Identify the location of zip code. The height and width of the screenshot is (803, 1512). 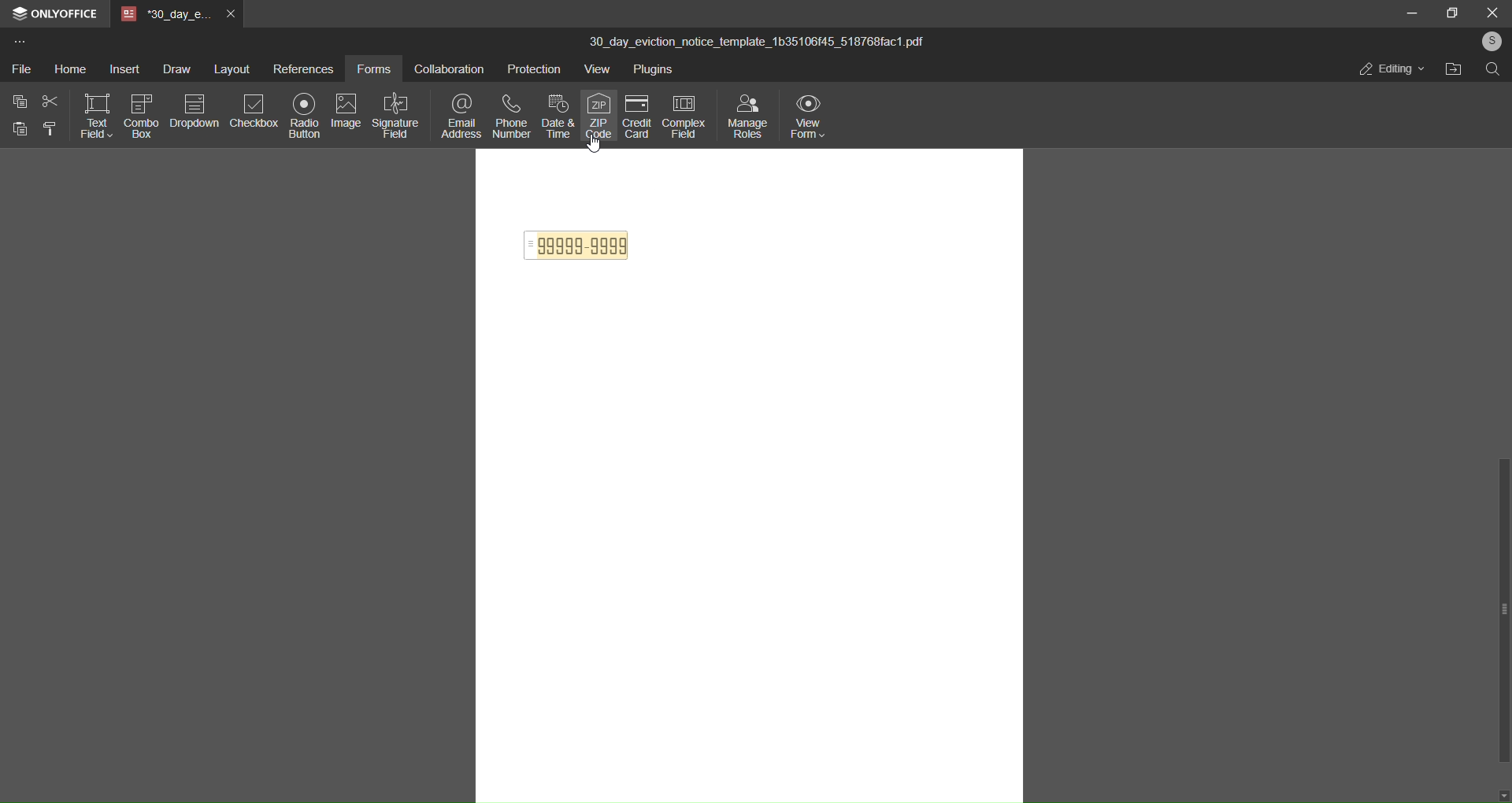
(596, 115).